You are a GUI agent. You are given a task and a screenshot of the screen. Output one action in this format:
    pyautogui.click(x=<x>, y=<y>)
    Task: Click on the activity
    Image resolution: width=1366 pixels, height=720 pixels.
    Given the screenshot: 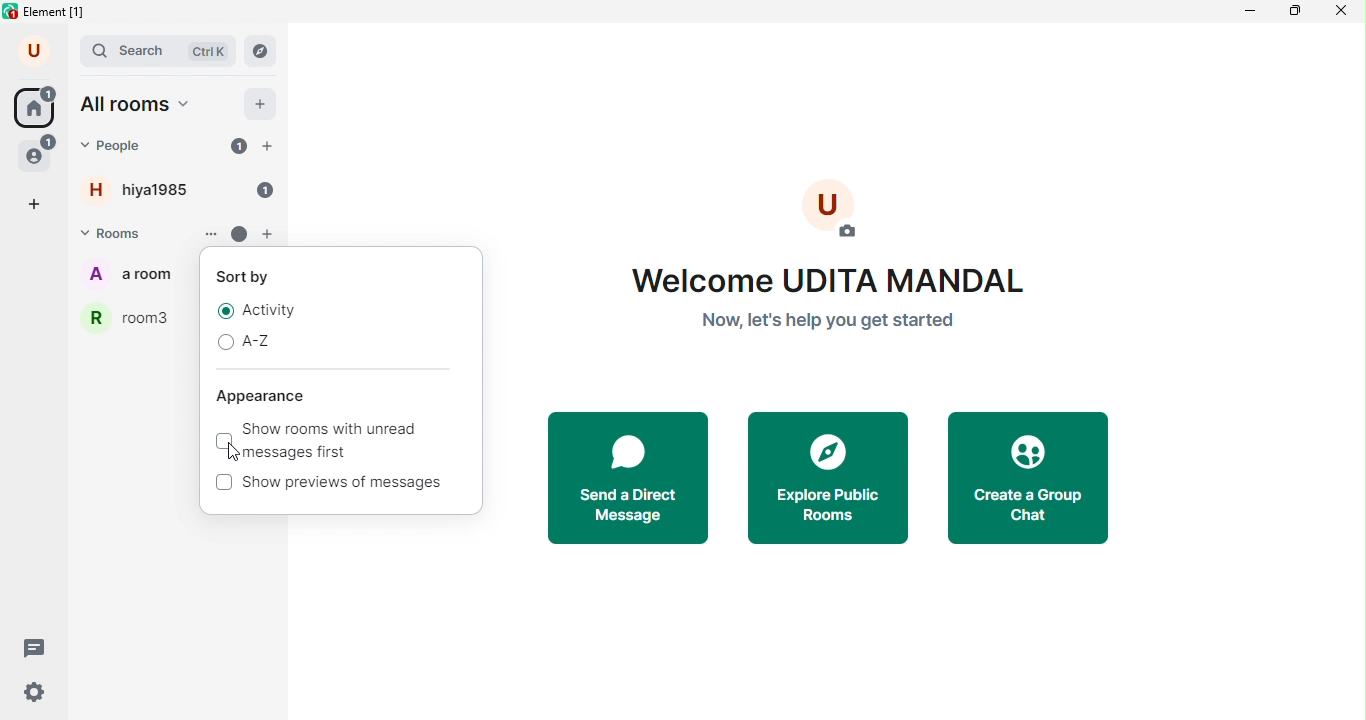 What is the action you would take?
    pyautogui.click(x=258, y=311)
    